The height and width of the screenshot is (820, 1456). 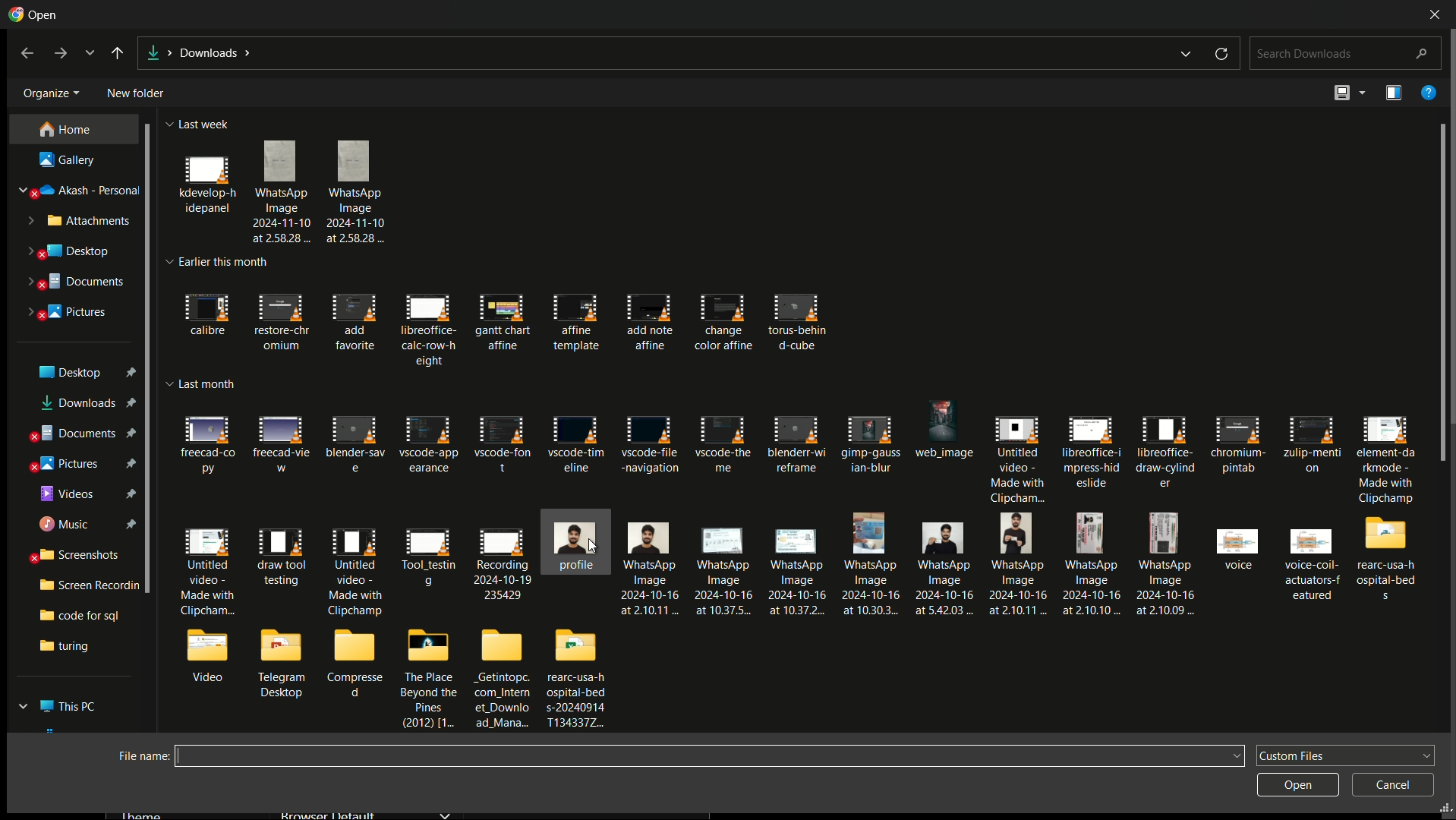 I want to click on home, so click(x=66, y=130).